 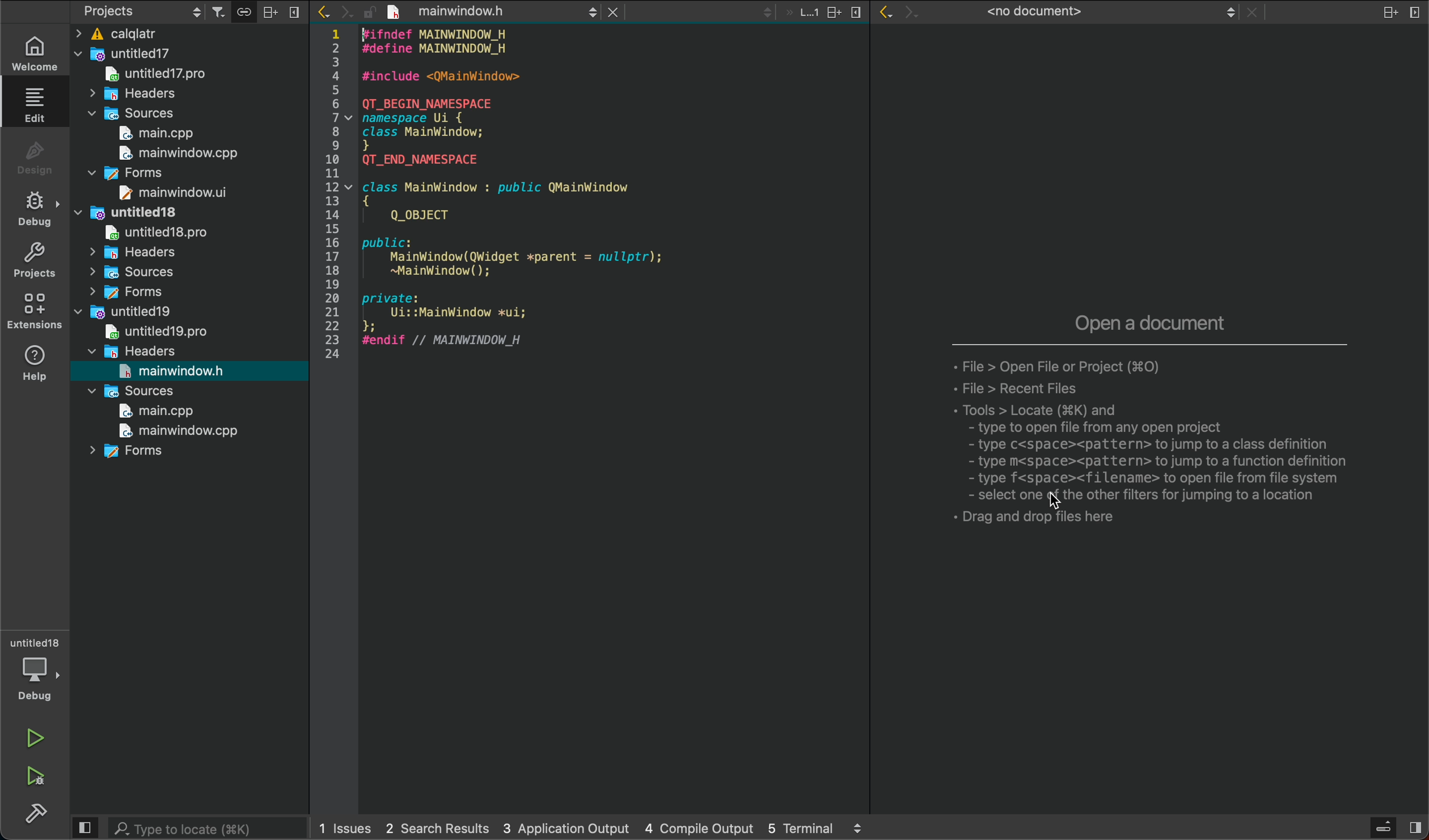 I want to click on untitled18pro, so click(x=163, y=235).